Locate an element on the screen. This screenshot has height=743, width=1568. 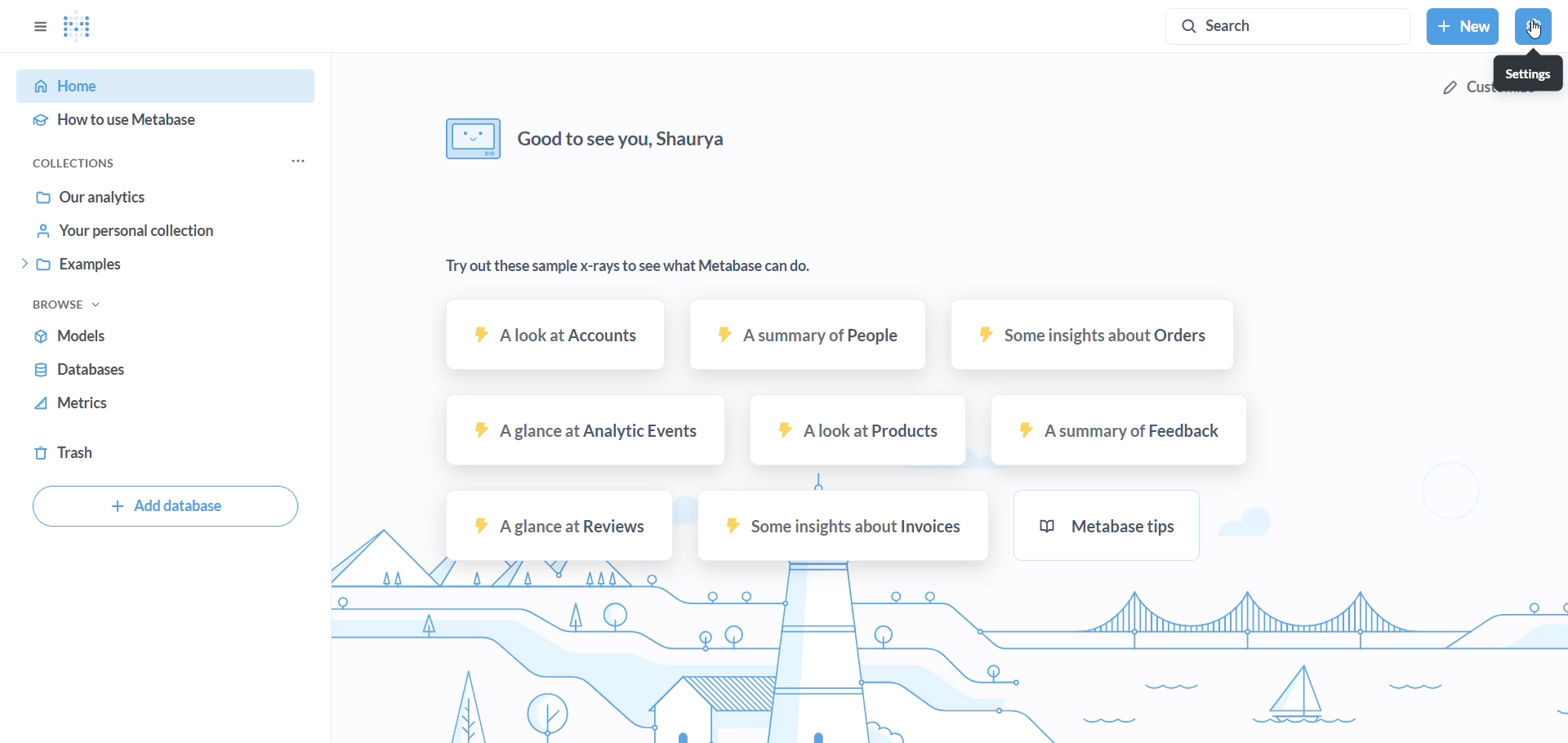
A summary of people sample is located at coordinates (813, 338).